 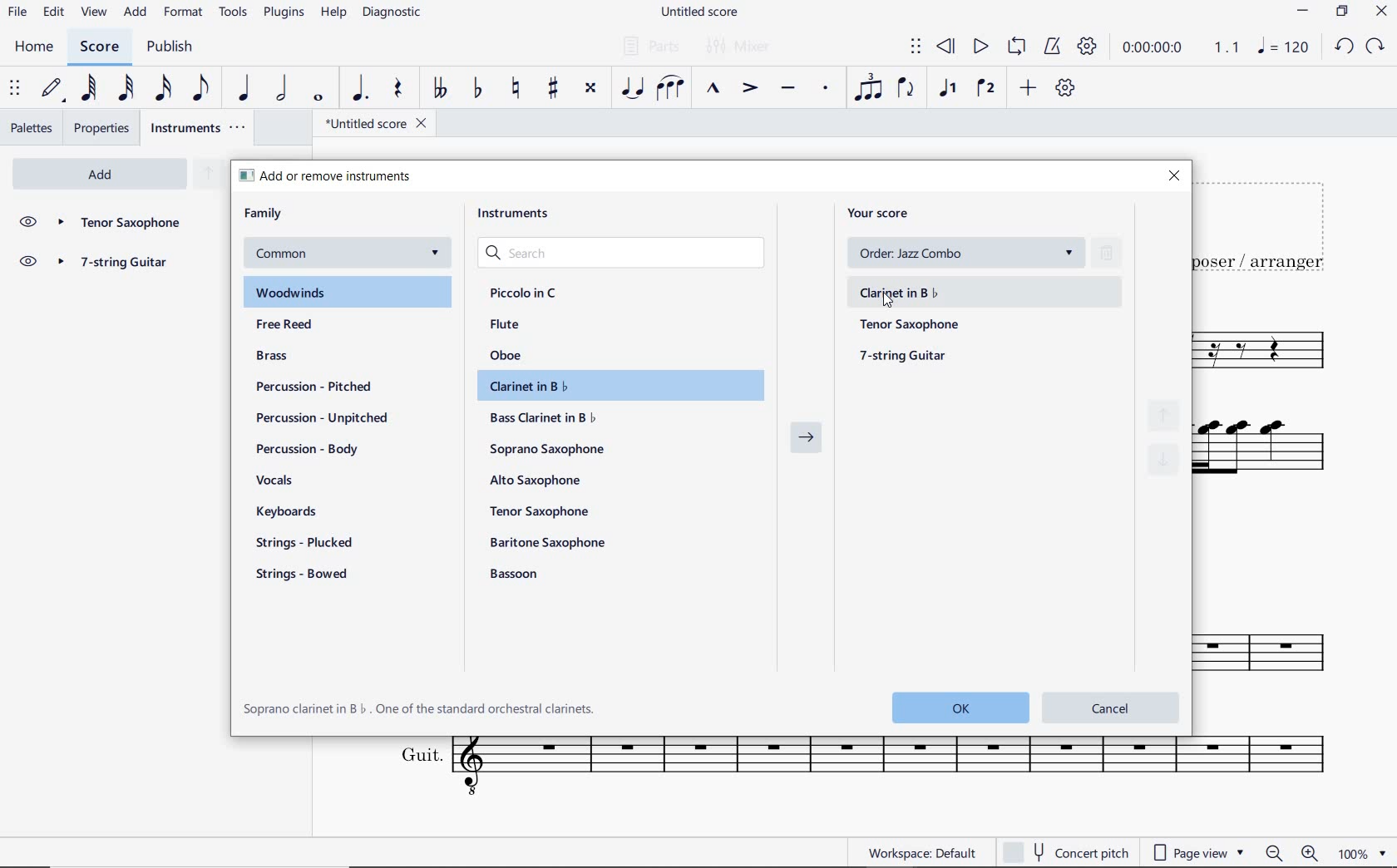 What do you see at coordinates (550, 450) in the screenshot?
I see `soprano saxophone` at bounding box center [550, 450].